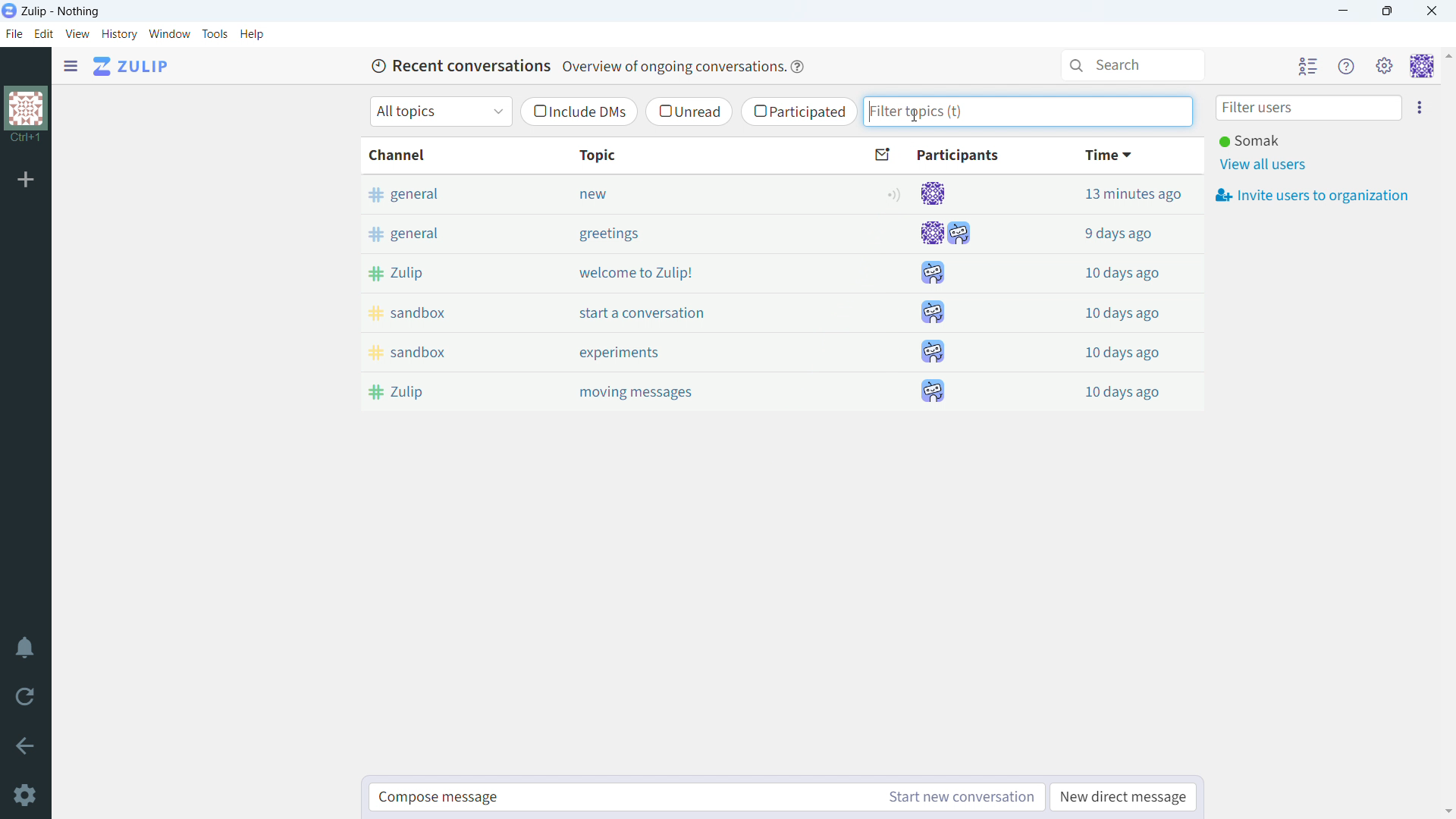  What do you see at coordinates (939, 155) in the screenshot?
I see `participants` at bounding box center [939, 155].